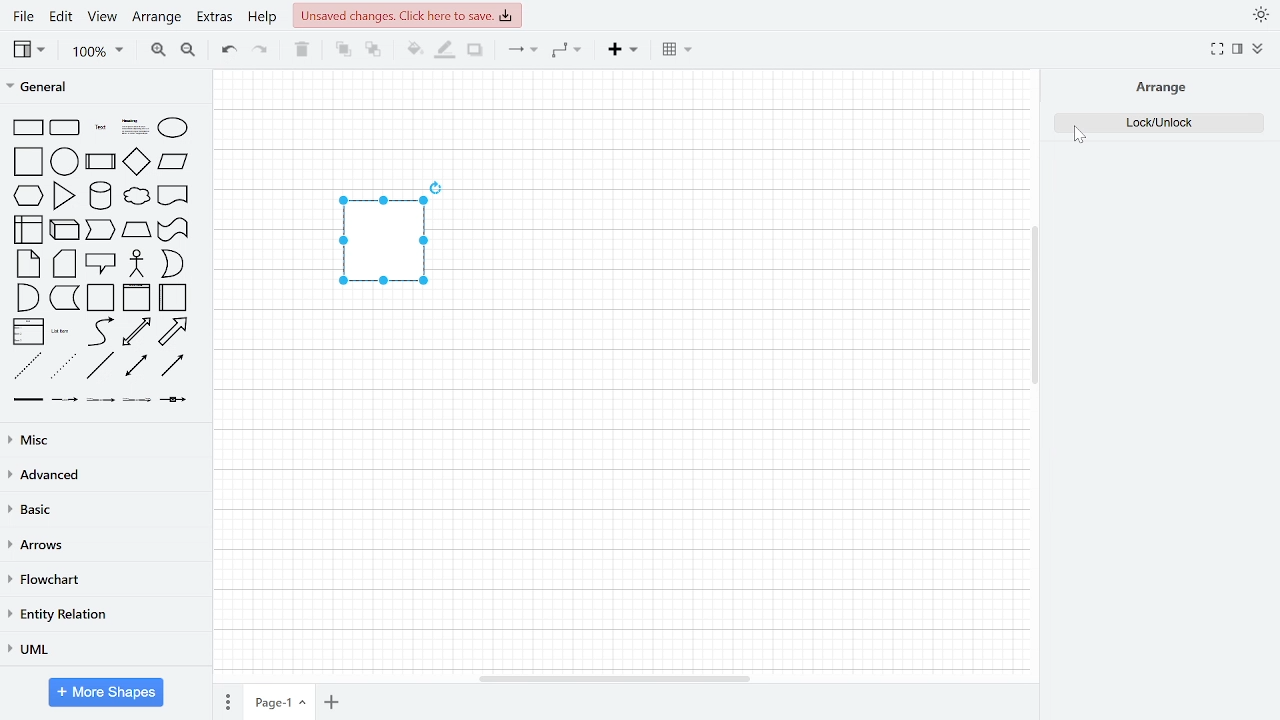  I want to click on collapse, so click(1259, 48).